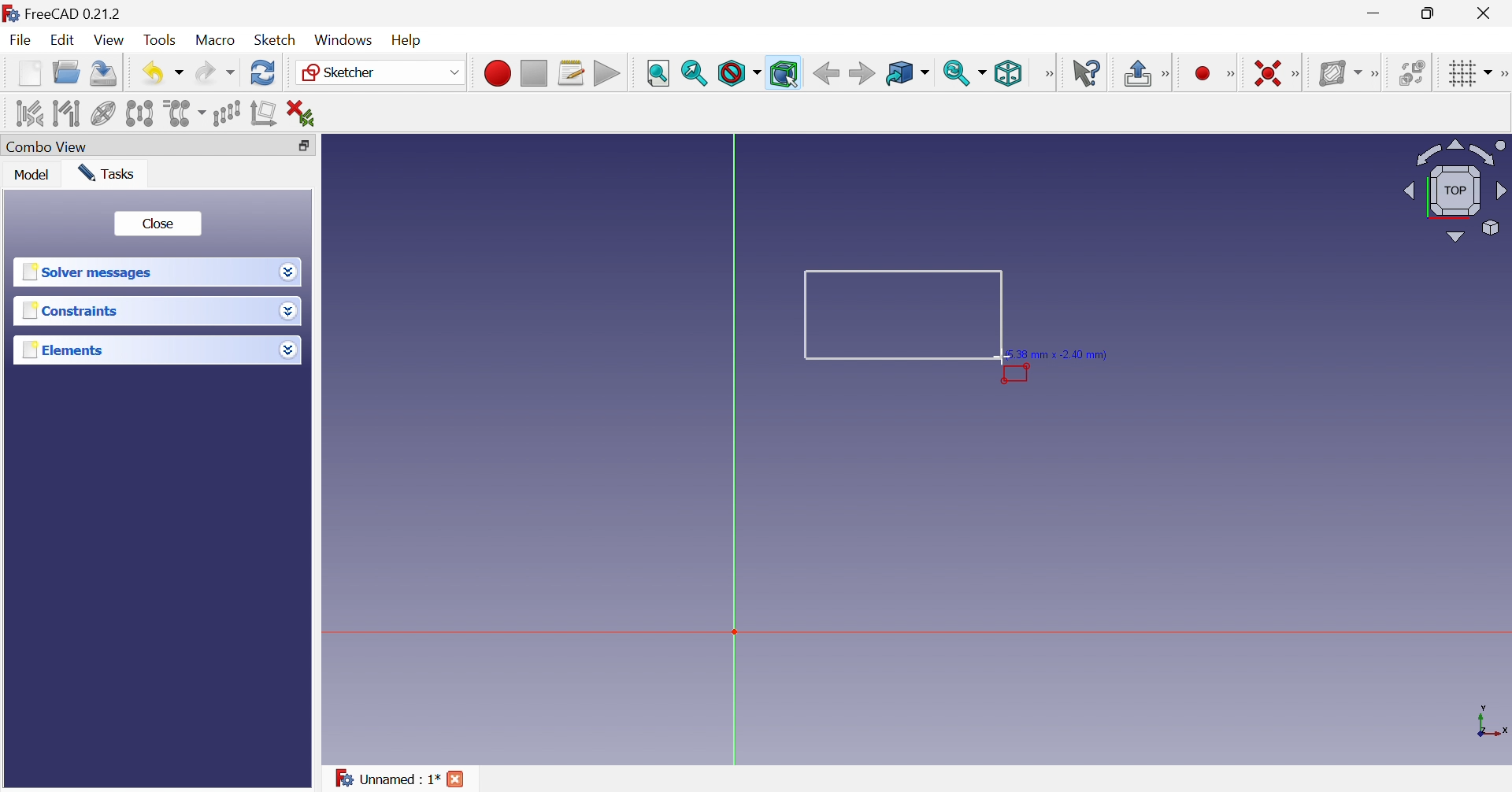 This screenshot has height=792, width=1512. Describe the element at coordinates (62, 41) in the screenshot. I see `Edit` at that location.